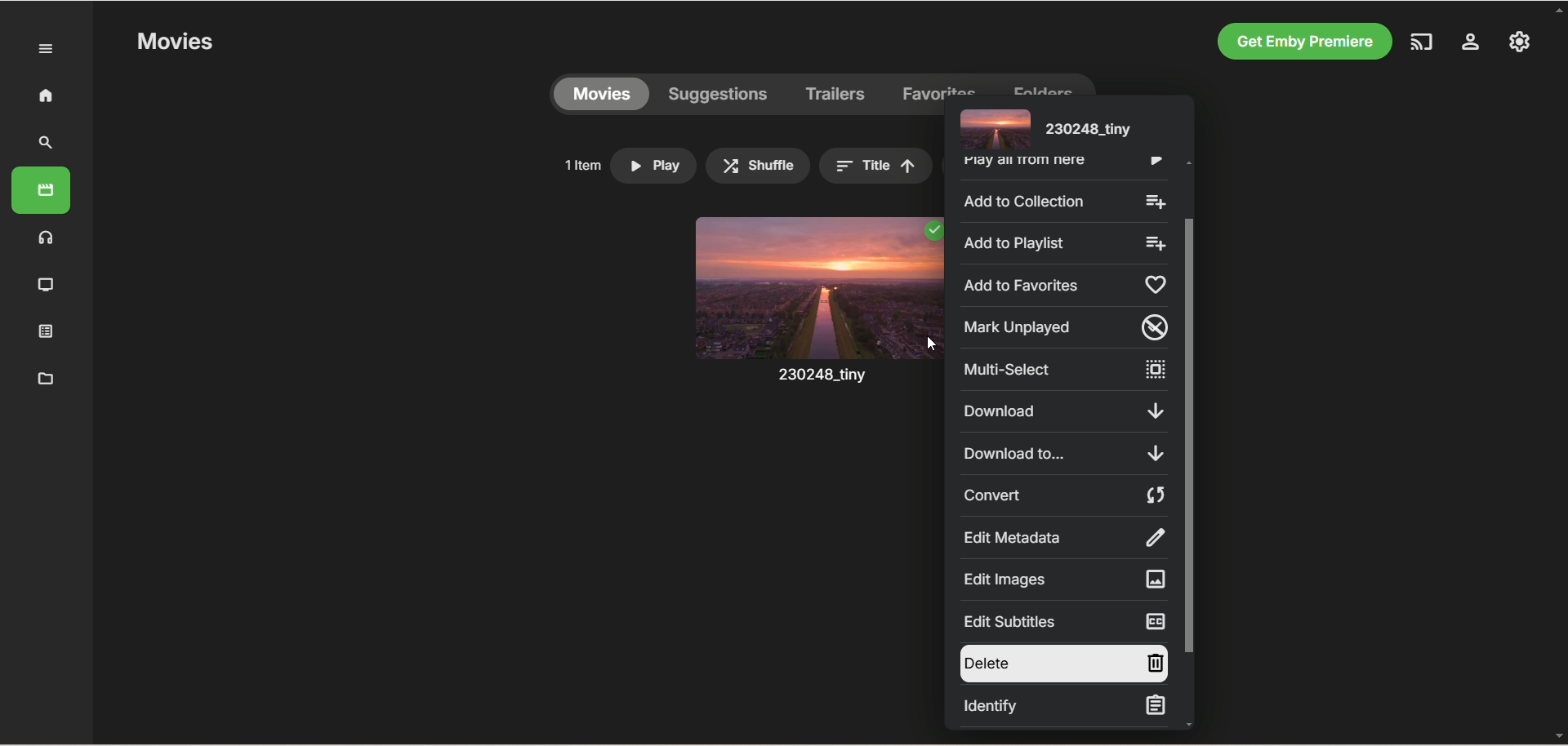 Image resolution: width=1568 pixels, height=746 pixels. Describe the element at coordinates (41, 190) in the screenshot. I see `movies` at that location.